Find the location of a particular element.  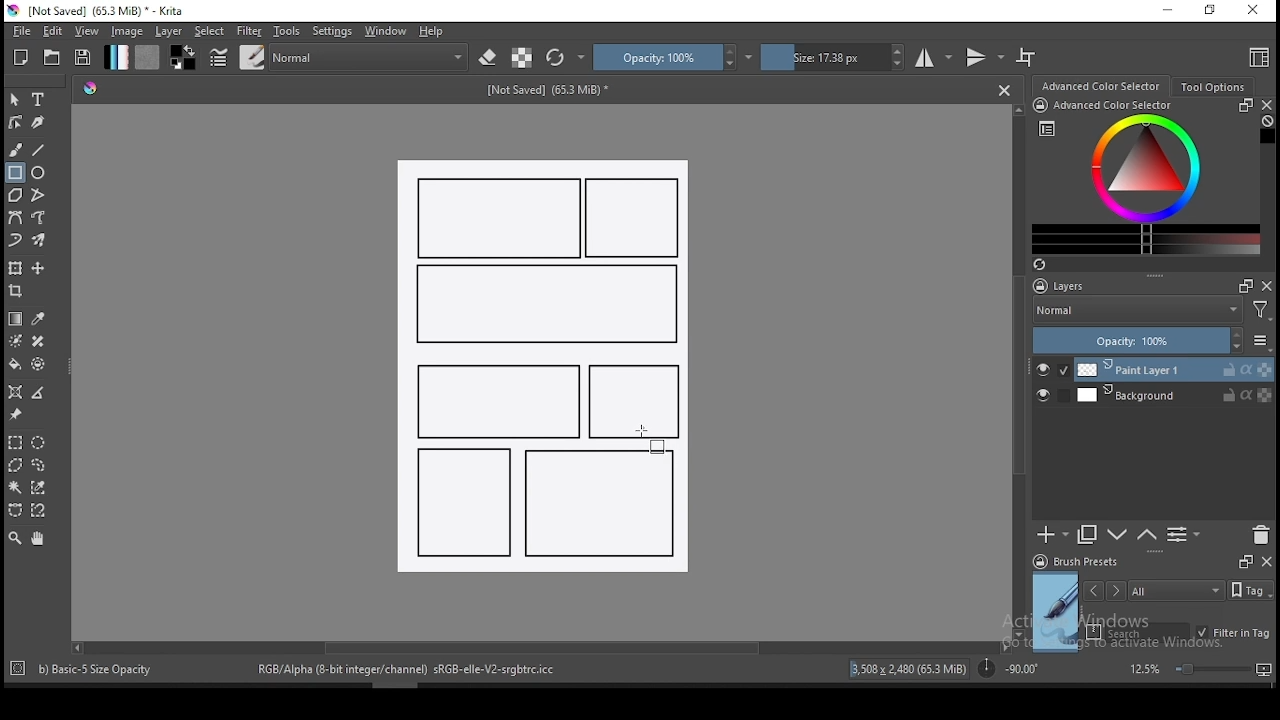

select shapes tool is located at coordinates (15, 99).